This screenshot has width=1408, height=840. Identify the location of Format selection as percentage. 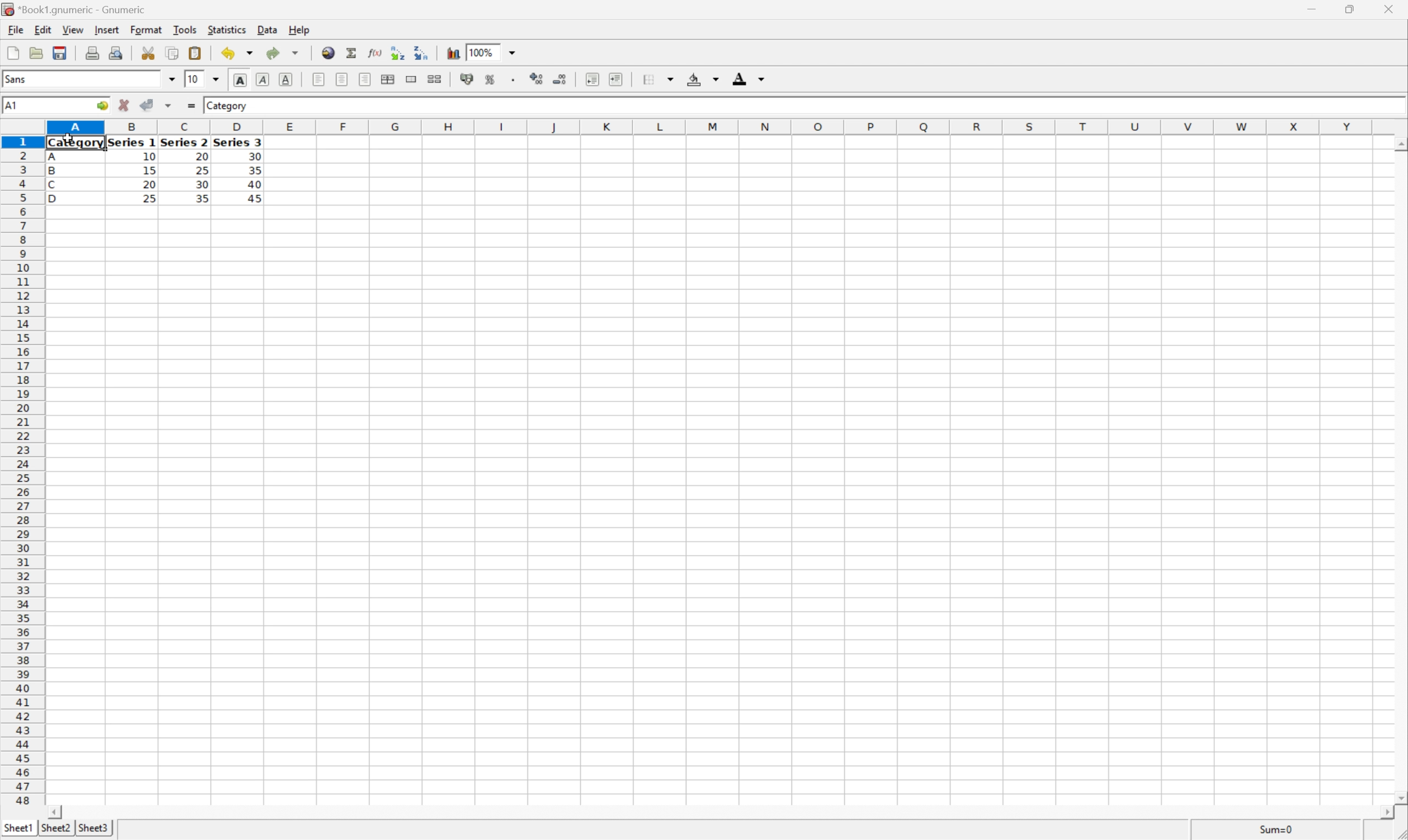
(490, 80).